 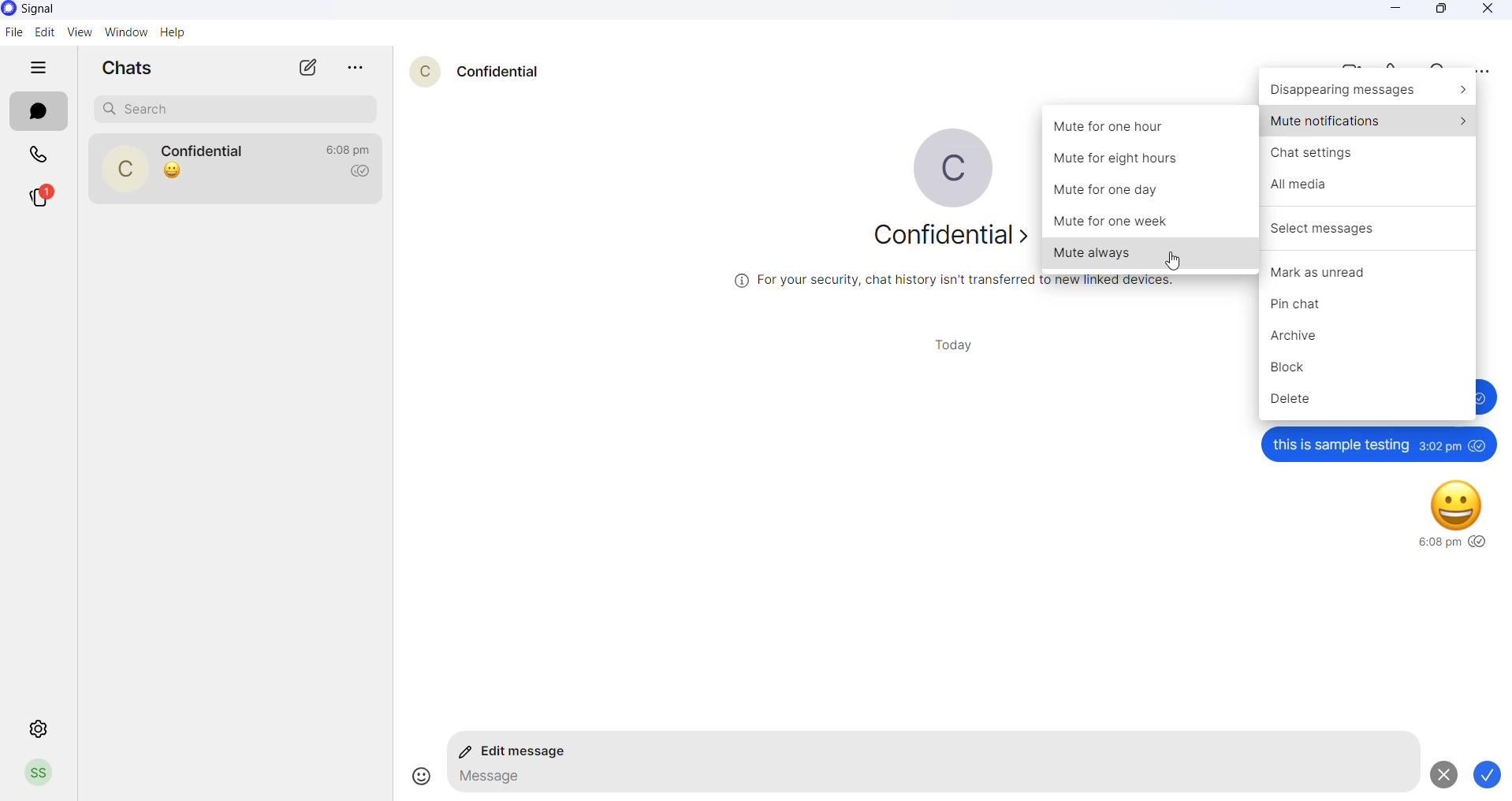 What do you see at coordinates (1152, 222) in the screenshot?
I see `mute for one week` at bounding box center [1152, 222].